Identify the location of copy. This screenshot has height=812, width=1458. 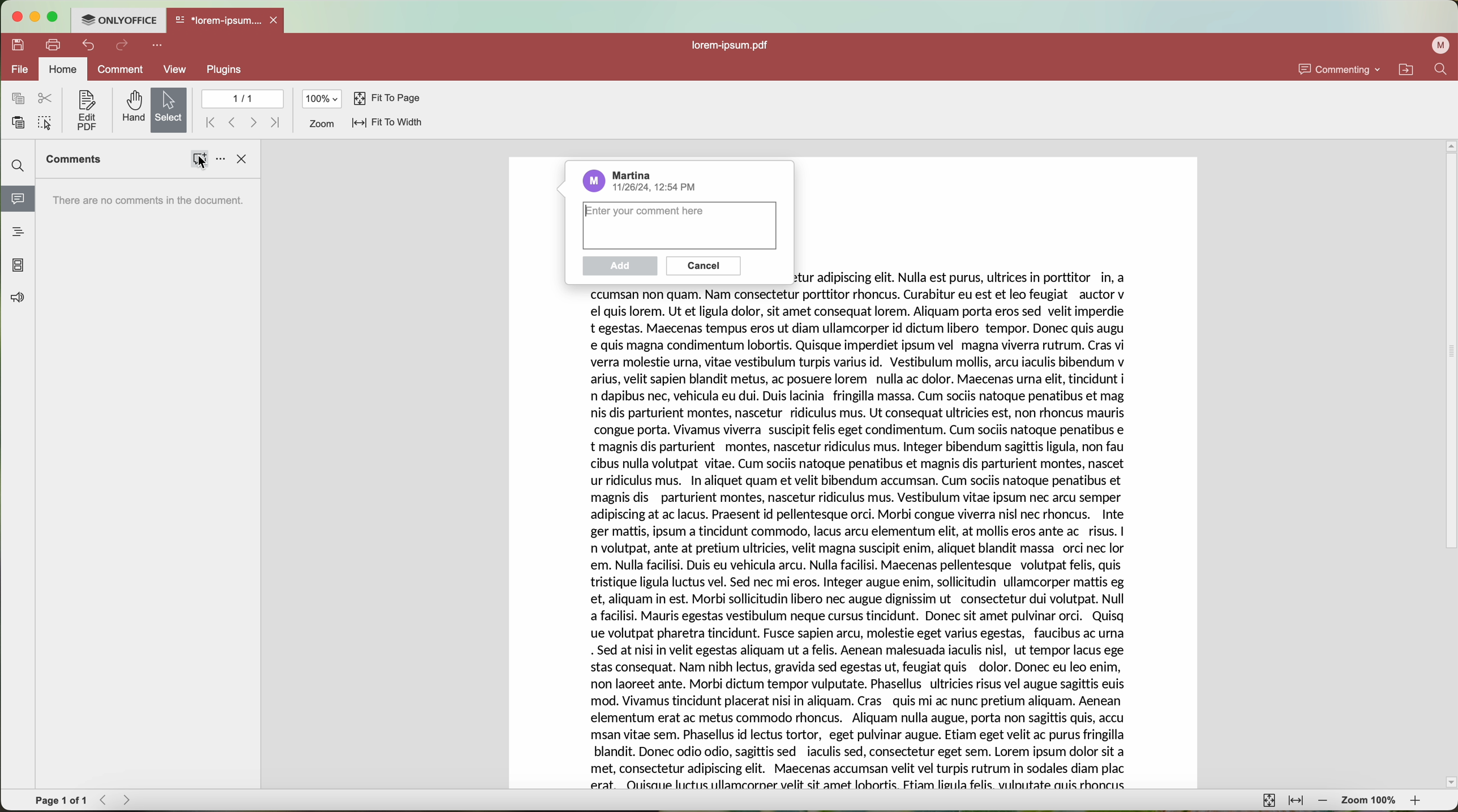
(18, 98).